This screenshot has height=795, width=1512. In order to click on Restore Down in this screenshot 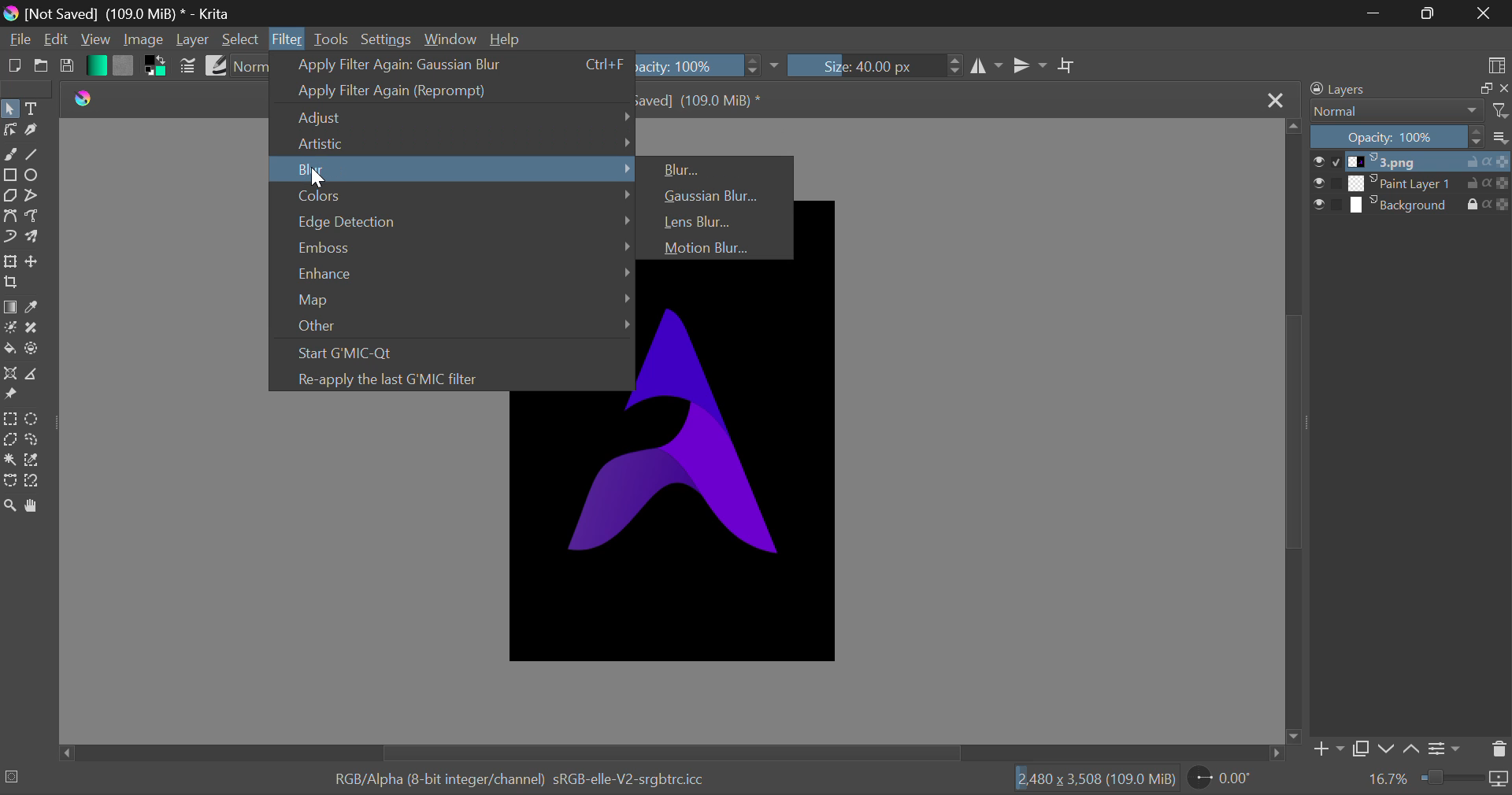, I will do `click(1373, 13)`.